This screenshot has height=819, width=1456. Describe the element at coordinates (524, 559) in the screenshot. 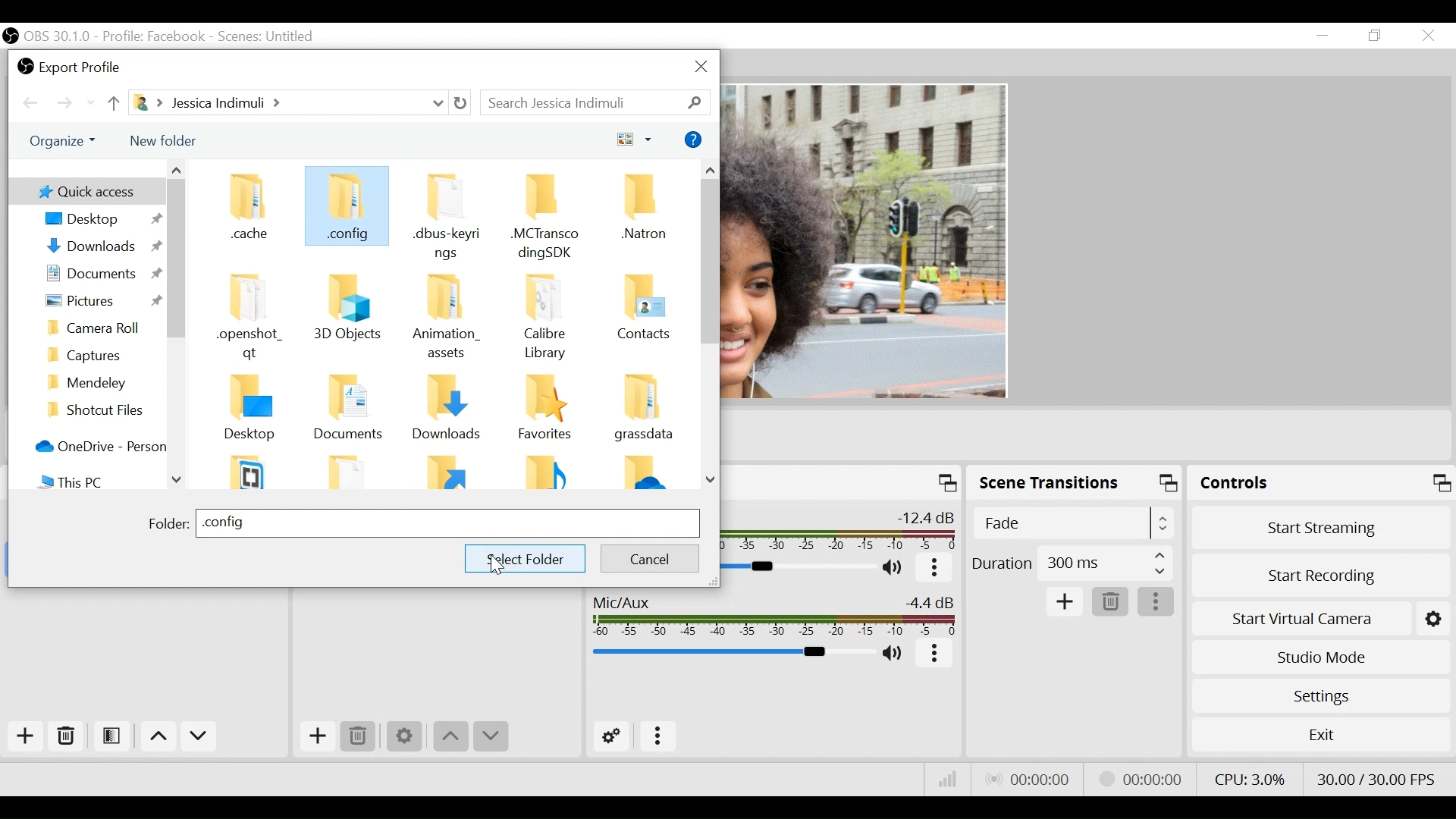

I see `Select Folder` at that location.